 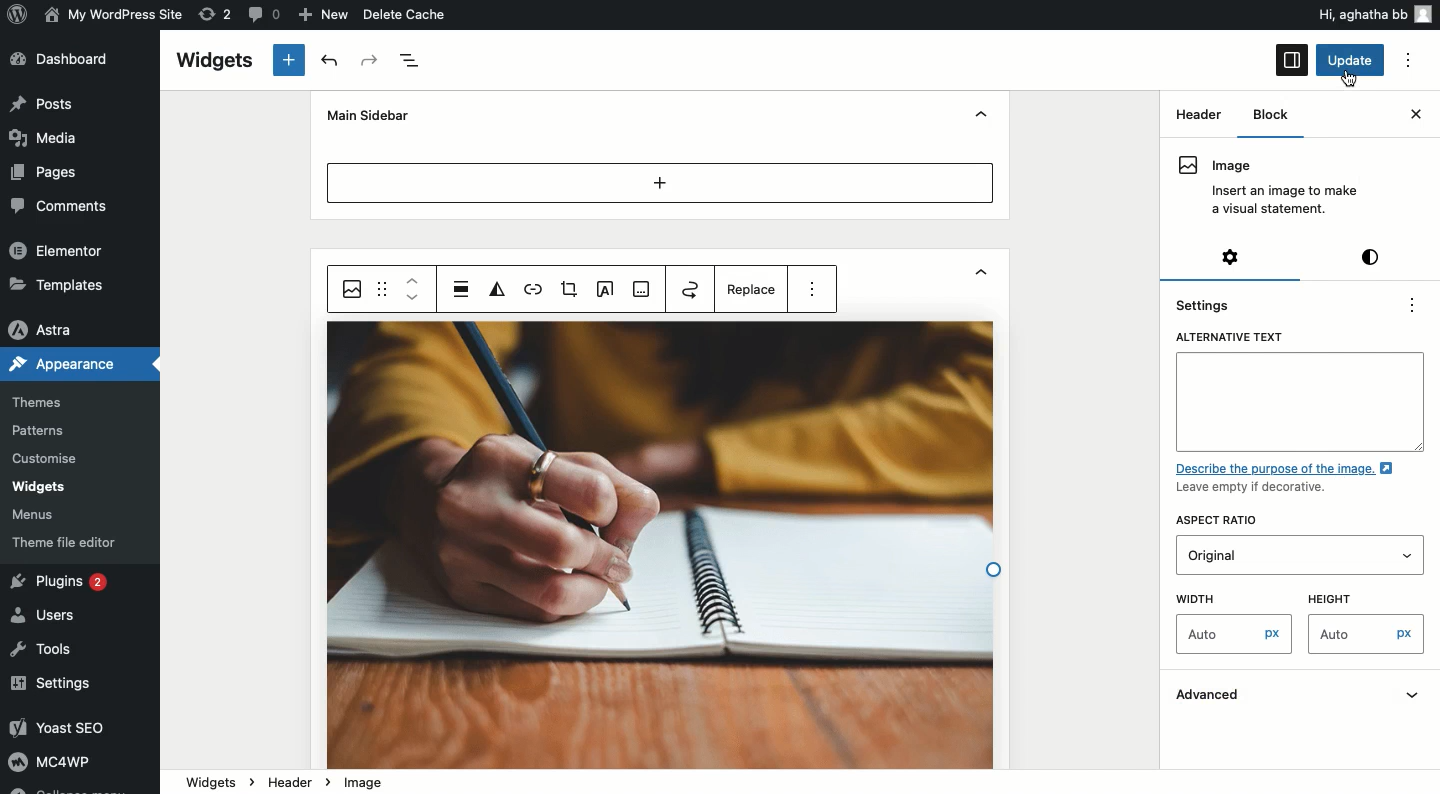 What do you see at coordinates (60, 283) in the screenshot?
I see `Templates` at bounding box center [60, 283].